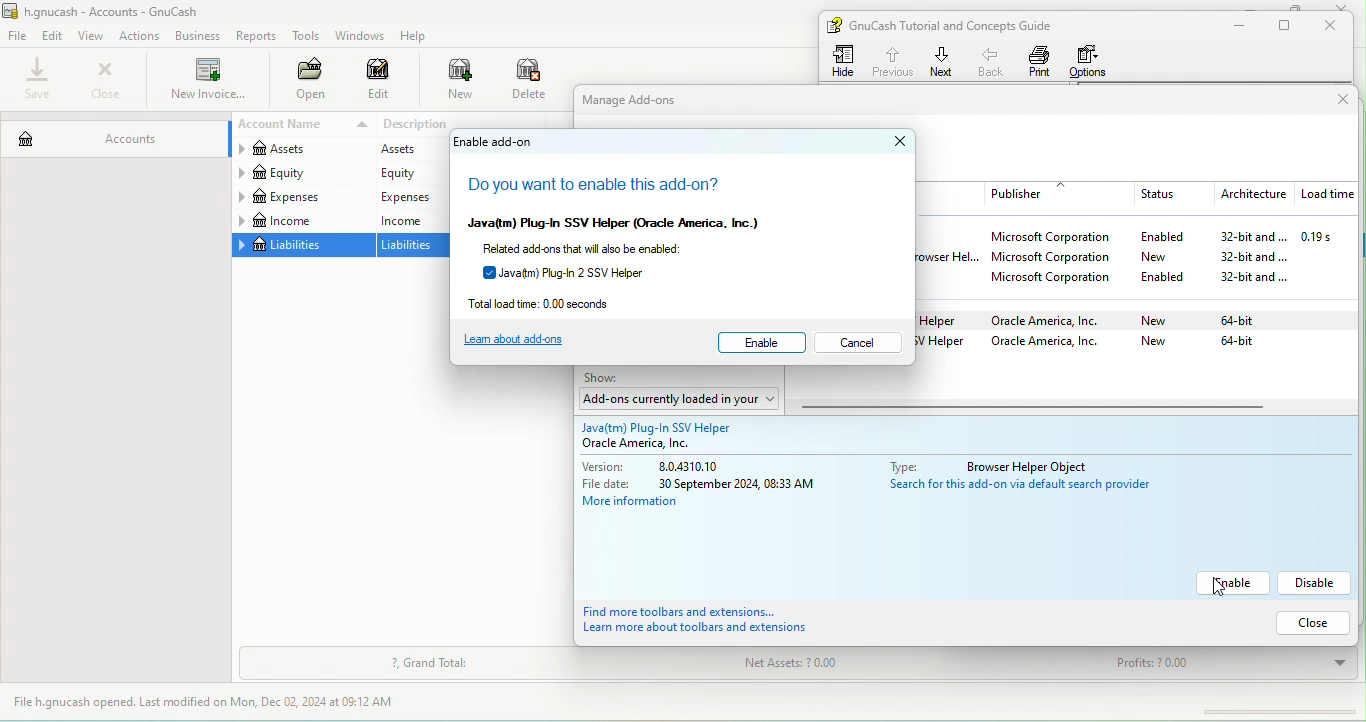  Describe the element at coordinates (1288, 26) in the screenshot. I see `maximize` at that location.